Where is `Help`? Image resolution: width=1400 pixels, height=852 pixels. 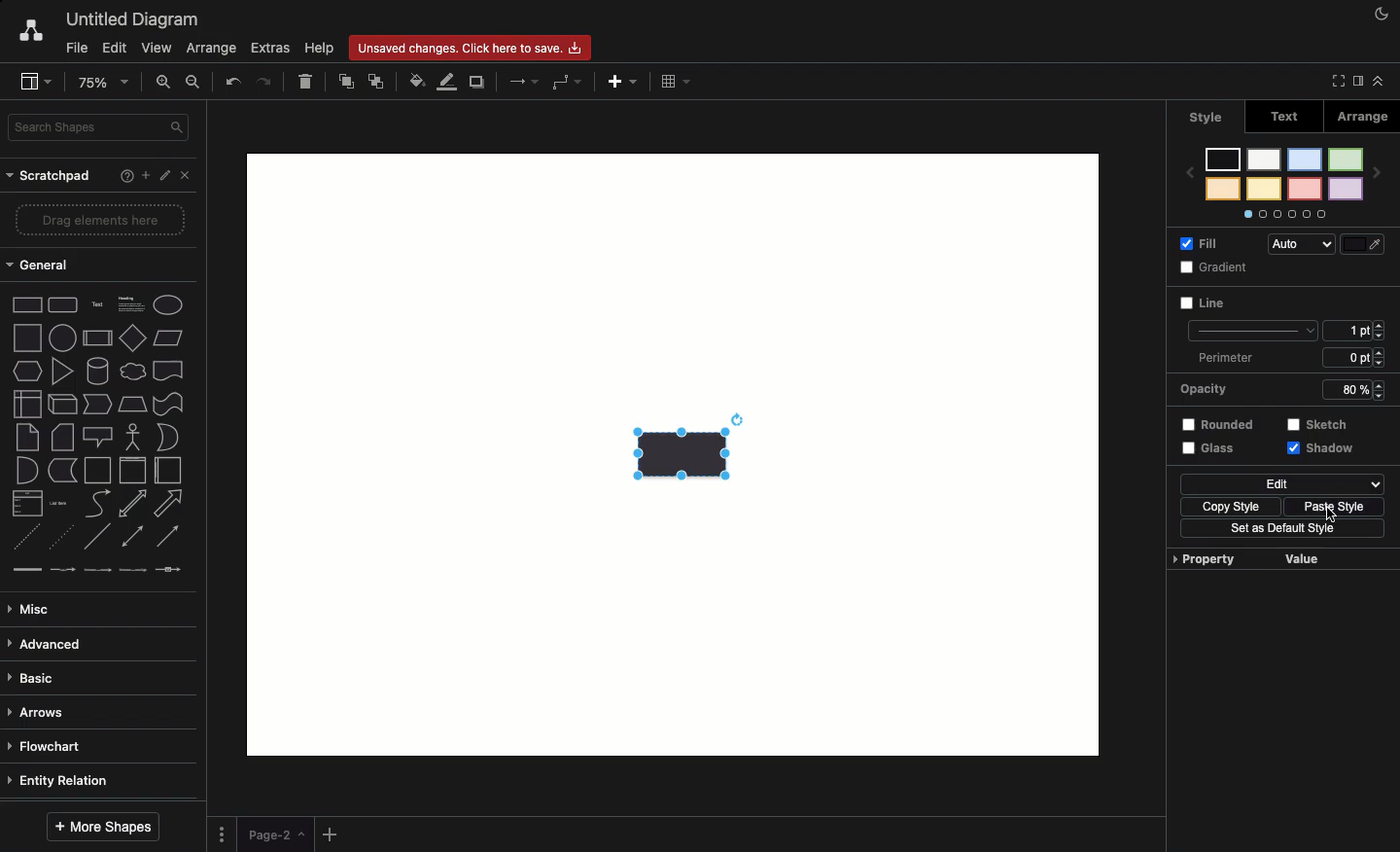 Help is located at coordinates (322, 49).